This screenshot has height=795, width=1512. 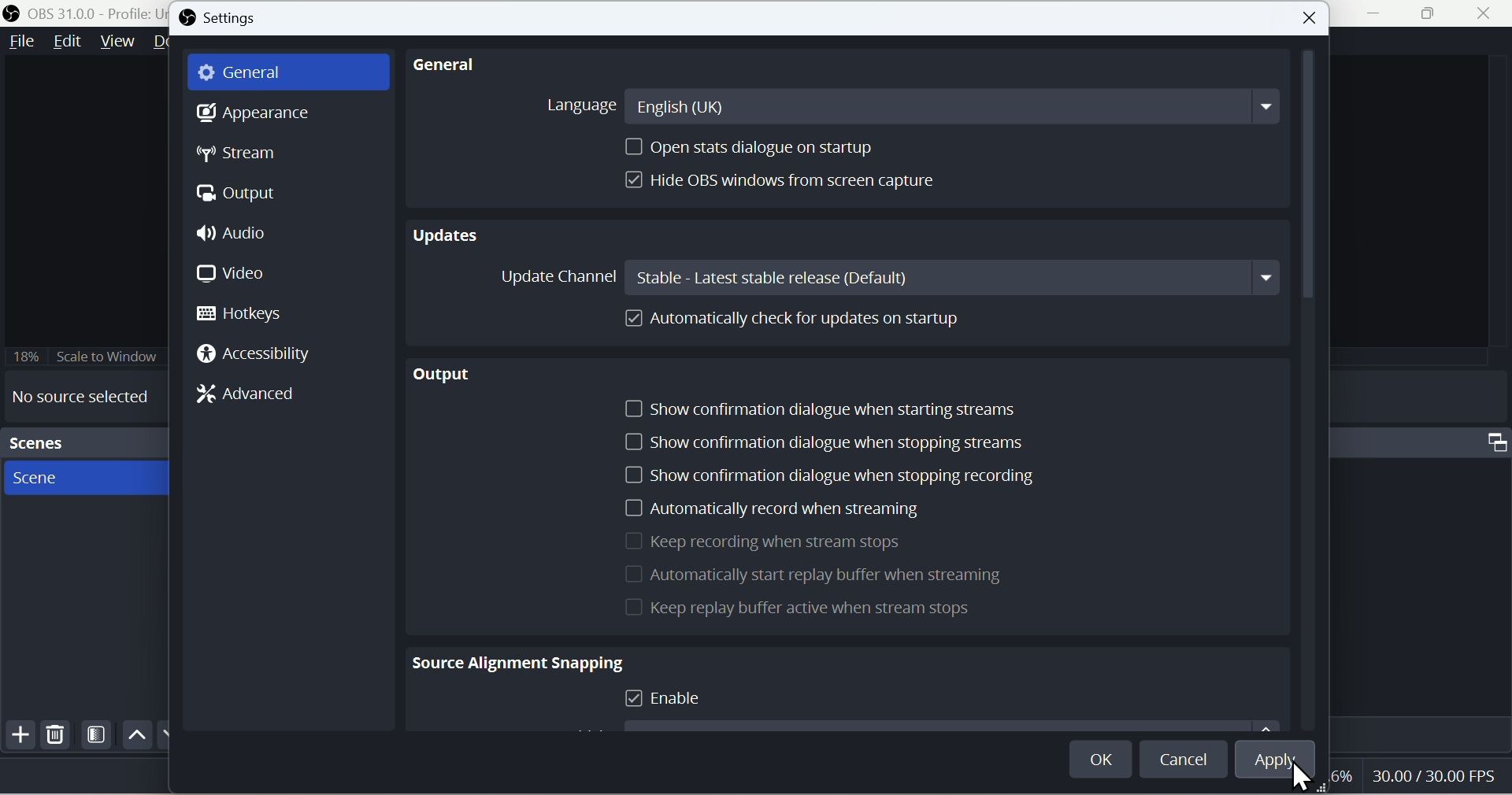 What do you see at coordinates (1307, 17) in the screenshot?
I see `close` at bounding box center [1307, 17].